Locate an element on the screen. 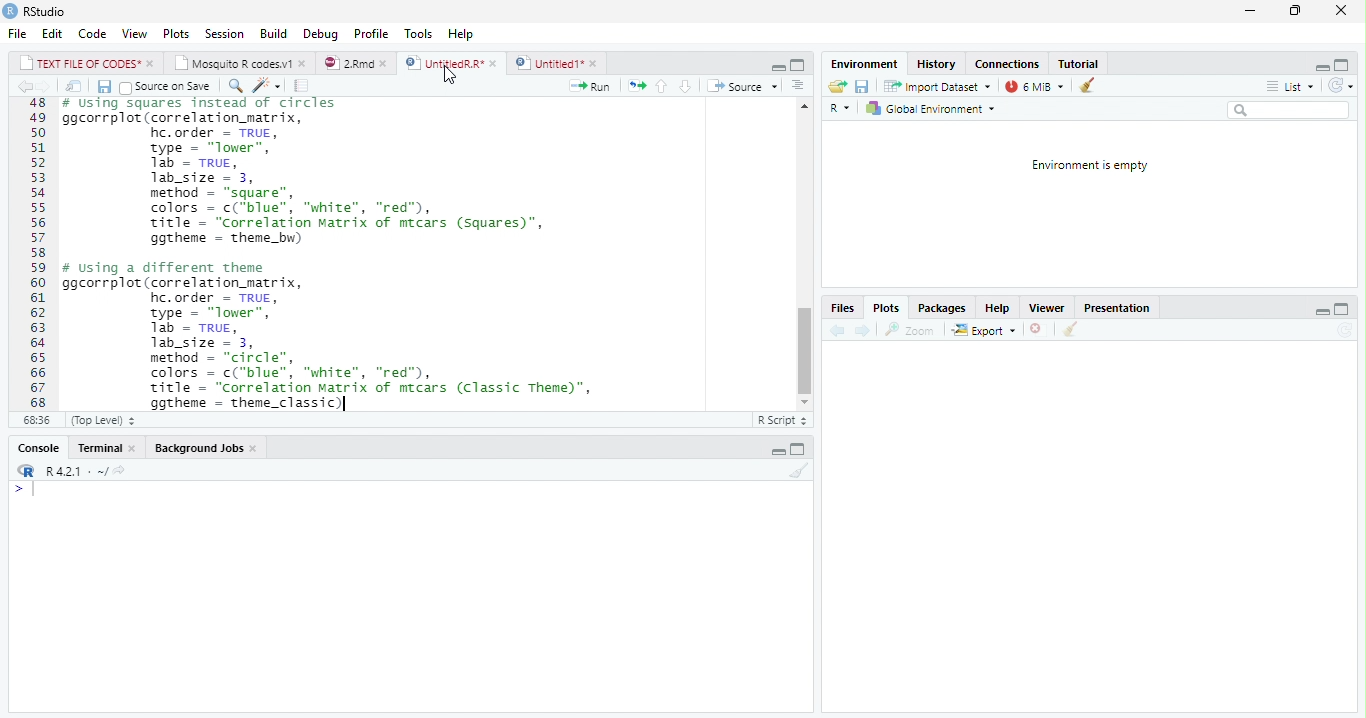 The image size is (1366, 718). Presentation is located at coordinates (1121, 308).